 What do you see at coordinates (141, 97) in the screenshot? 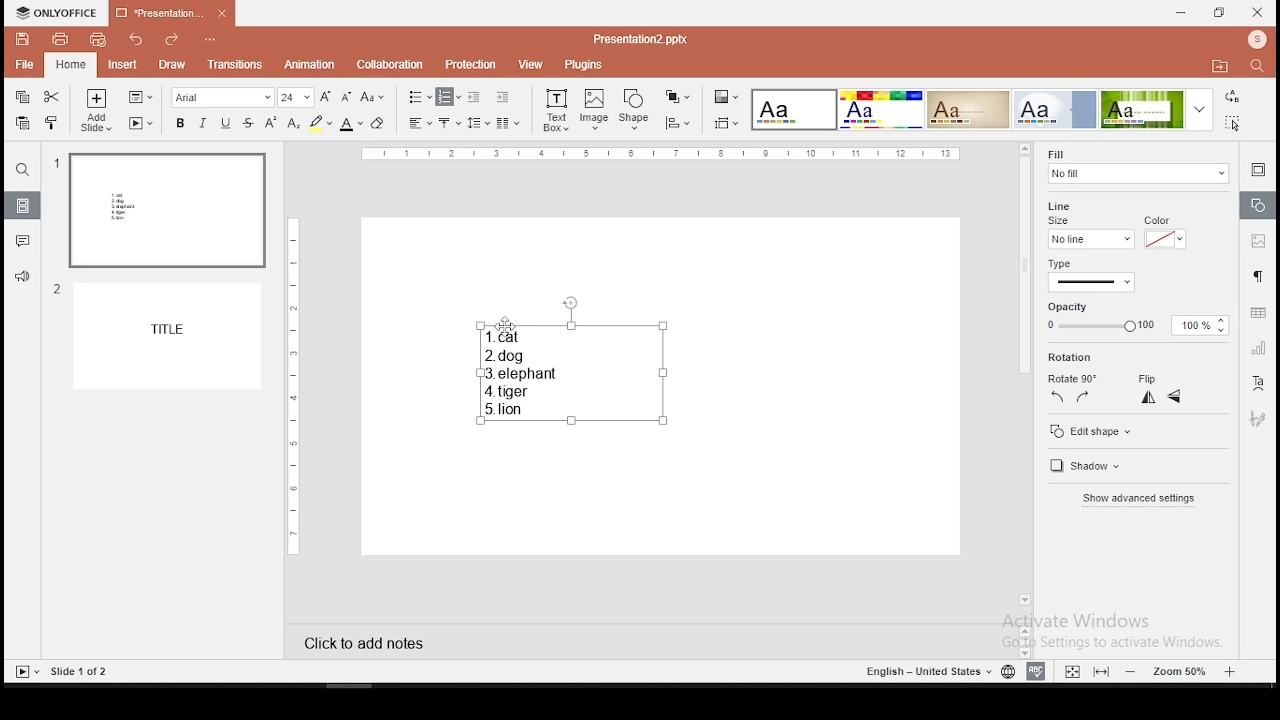
I see `change slide layout` at bounding box center [141, 97].